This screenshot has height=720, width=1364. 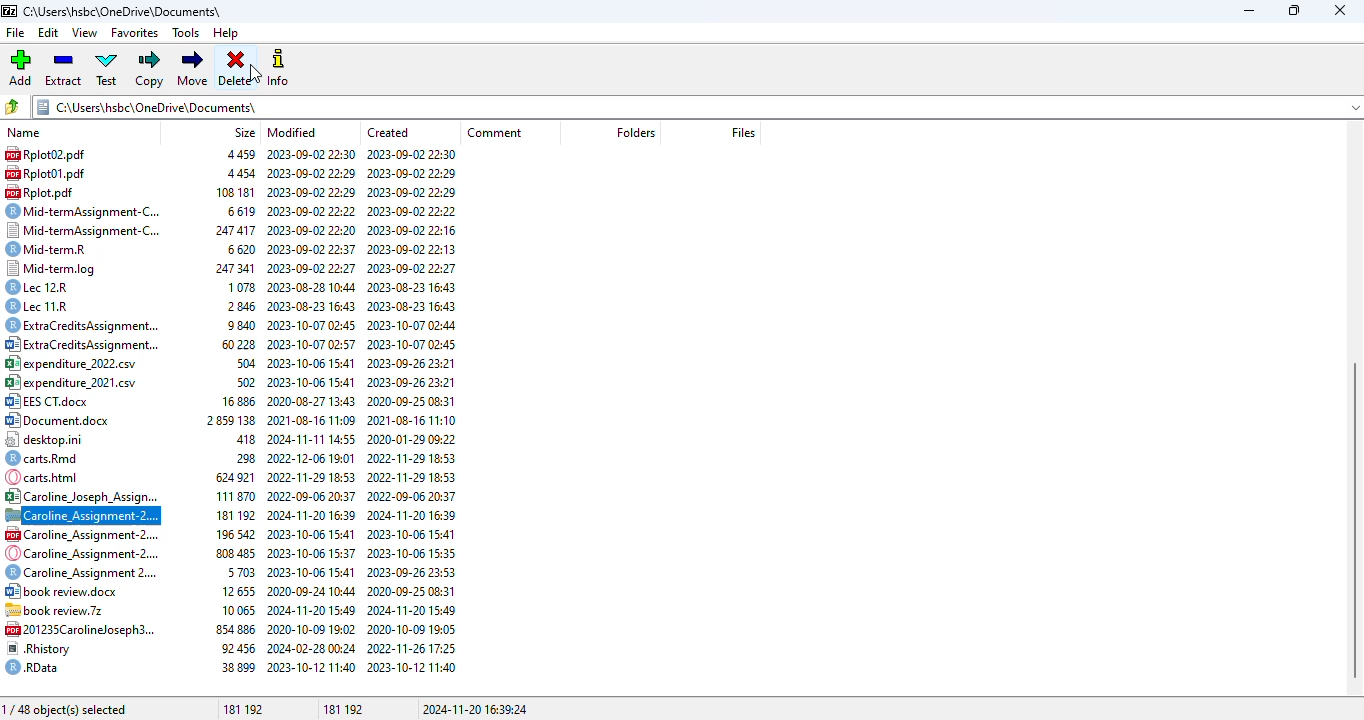 I want to click on copy, so click(x=150, y=69).